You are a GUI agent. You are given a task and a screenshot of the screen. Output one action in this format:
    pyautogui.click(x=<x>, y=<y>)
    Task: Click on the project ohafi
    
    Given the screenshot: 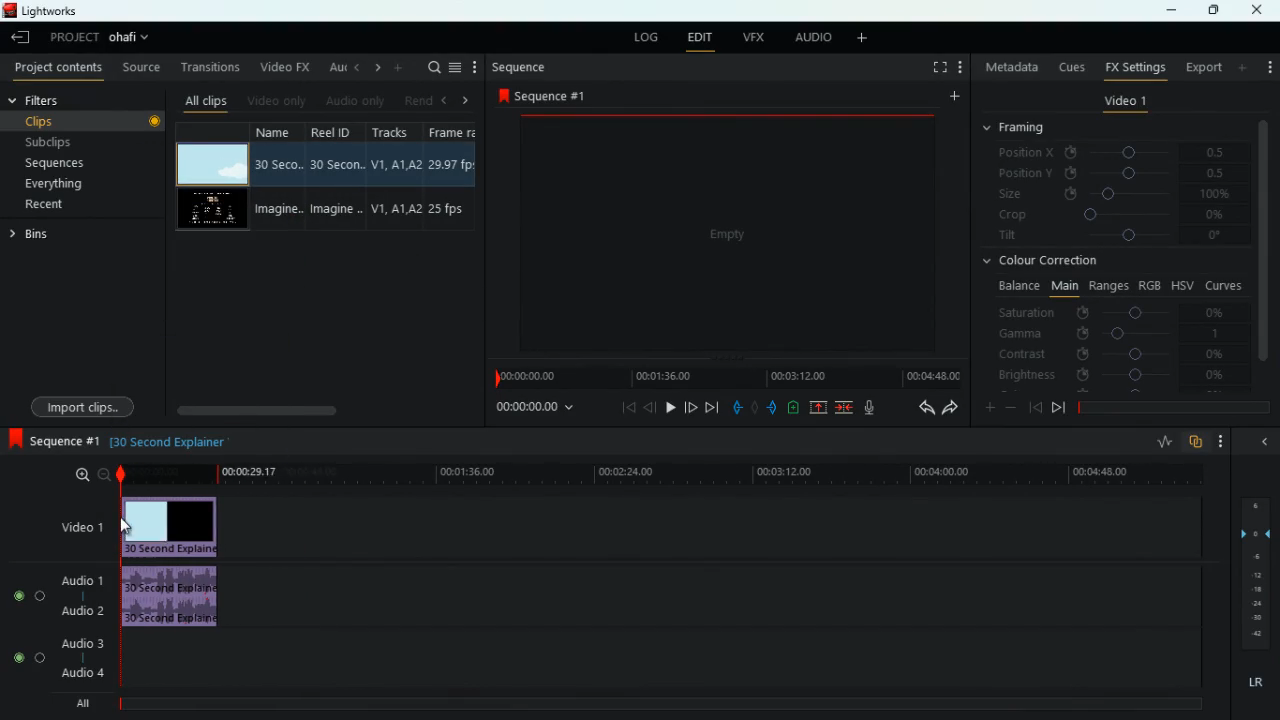 What is the action you would take?
    pyautogui.click(x=106, y=39)
    